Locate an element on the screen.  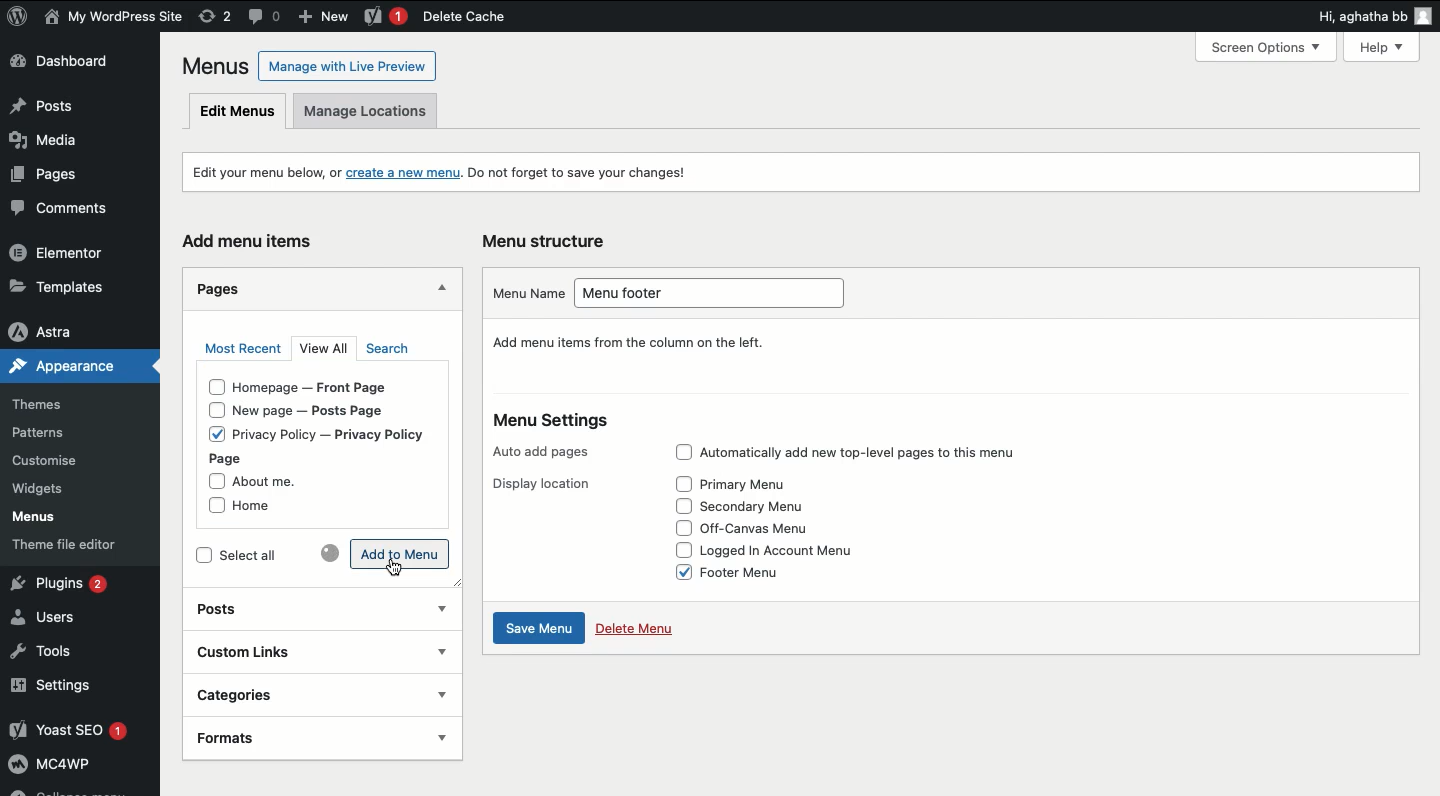
Delete menu is located at coordinates (637, 631).